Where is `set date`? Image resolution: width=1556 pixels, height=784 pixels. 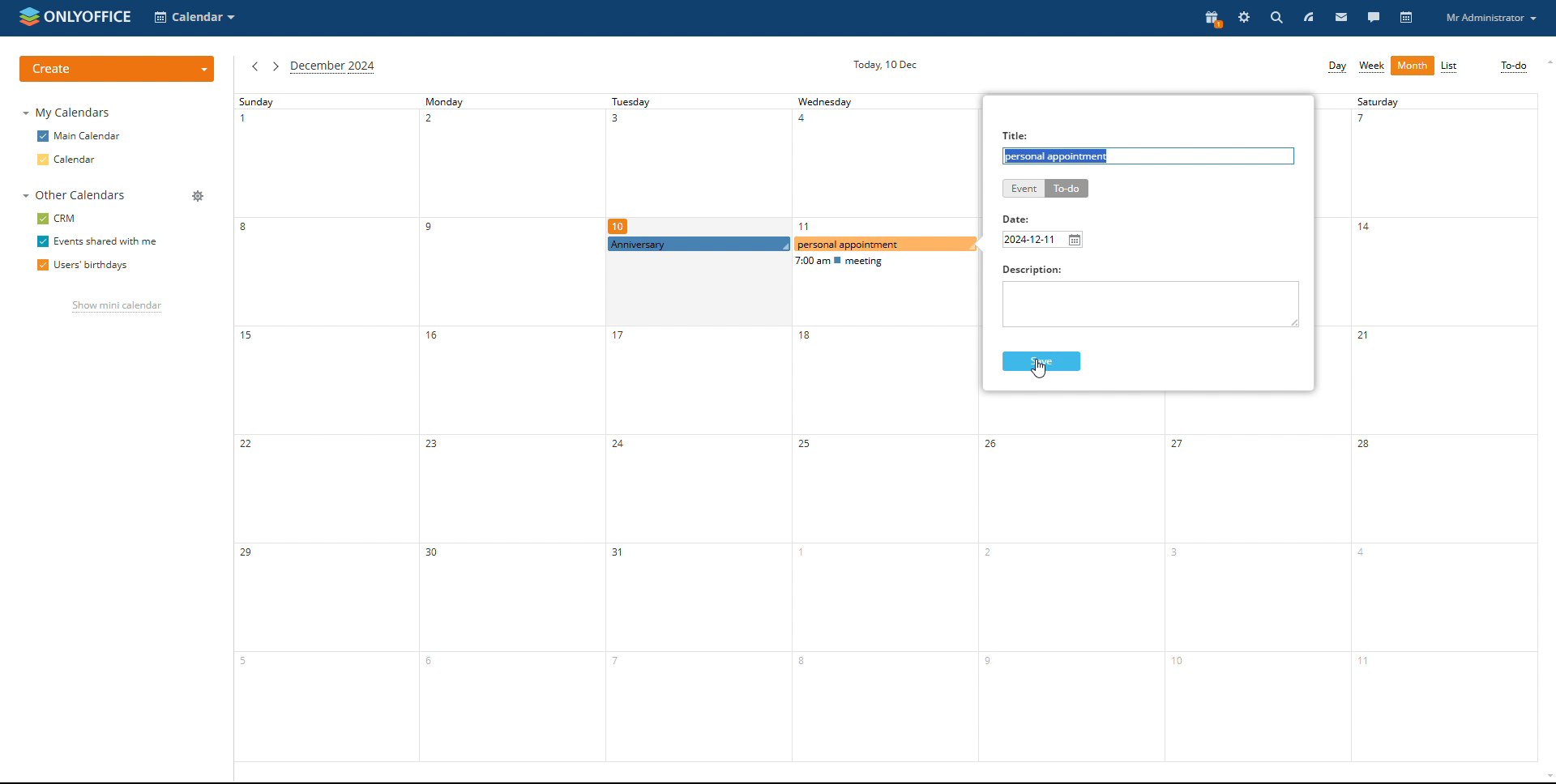 set date is located at coordinates (1043, 240).